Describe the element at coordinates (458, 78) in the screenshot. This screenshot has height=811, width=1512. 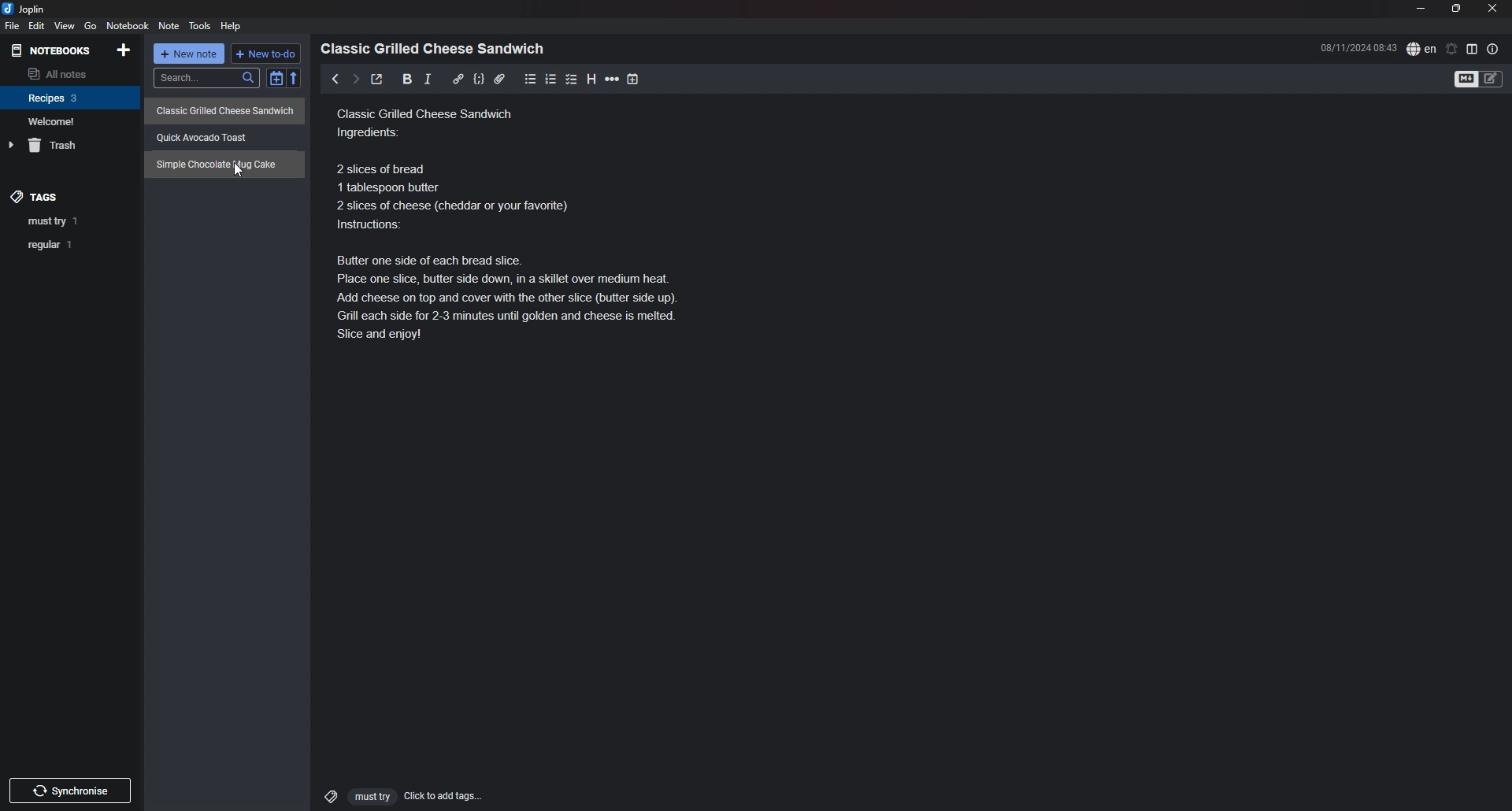
I see `hyperlink` at that location.